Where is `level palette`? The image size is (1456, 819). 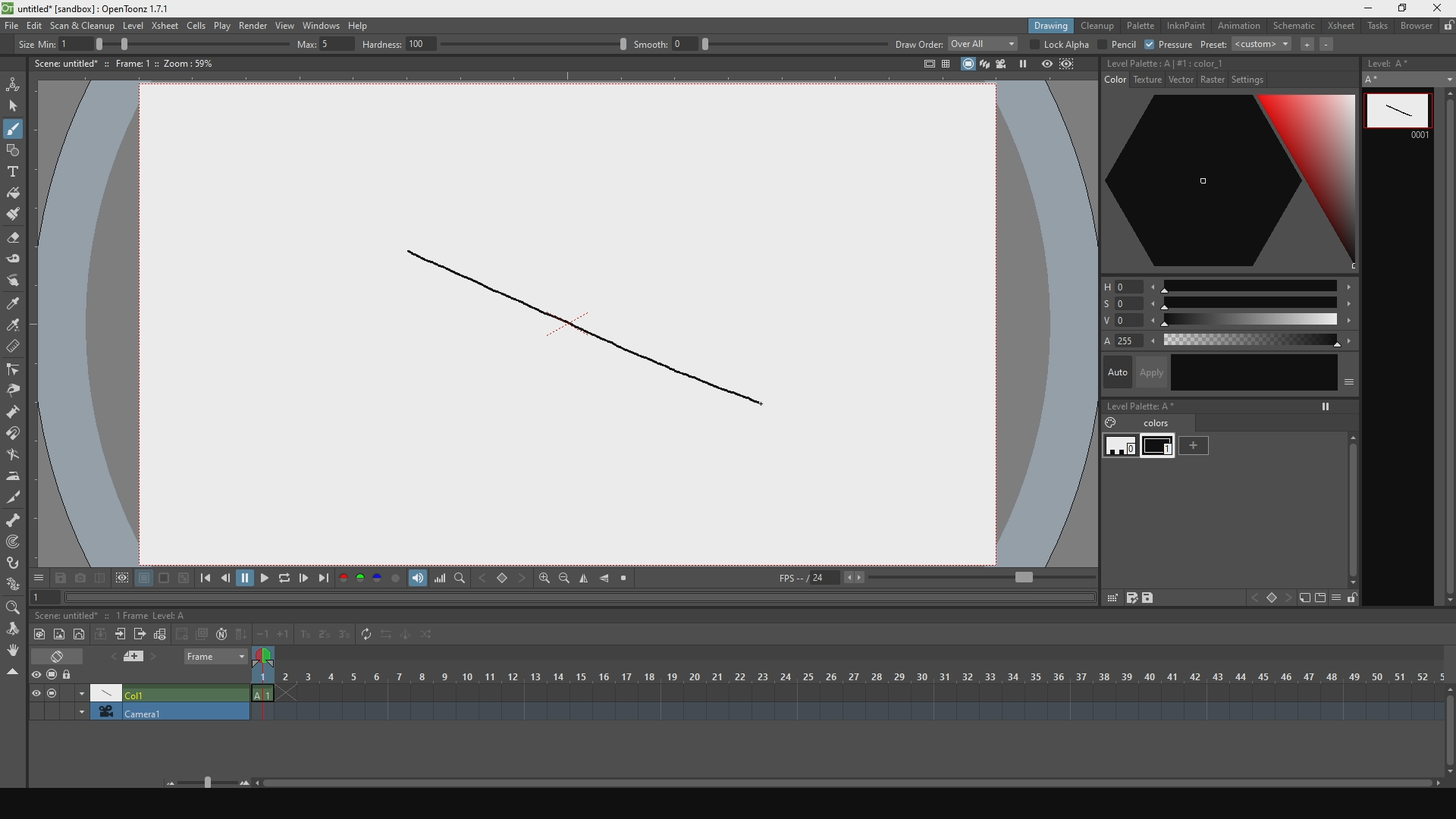 level palette is located at coordinates (1224, 406).